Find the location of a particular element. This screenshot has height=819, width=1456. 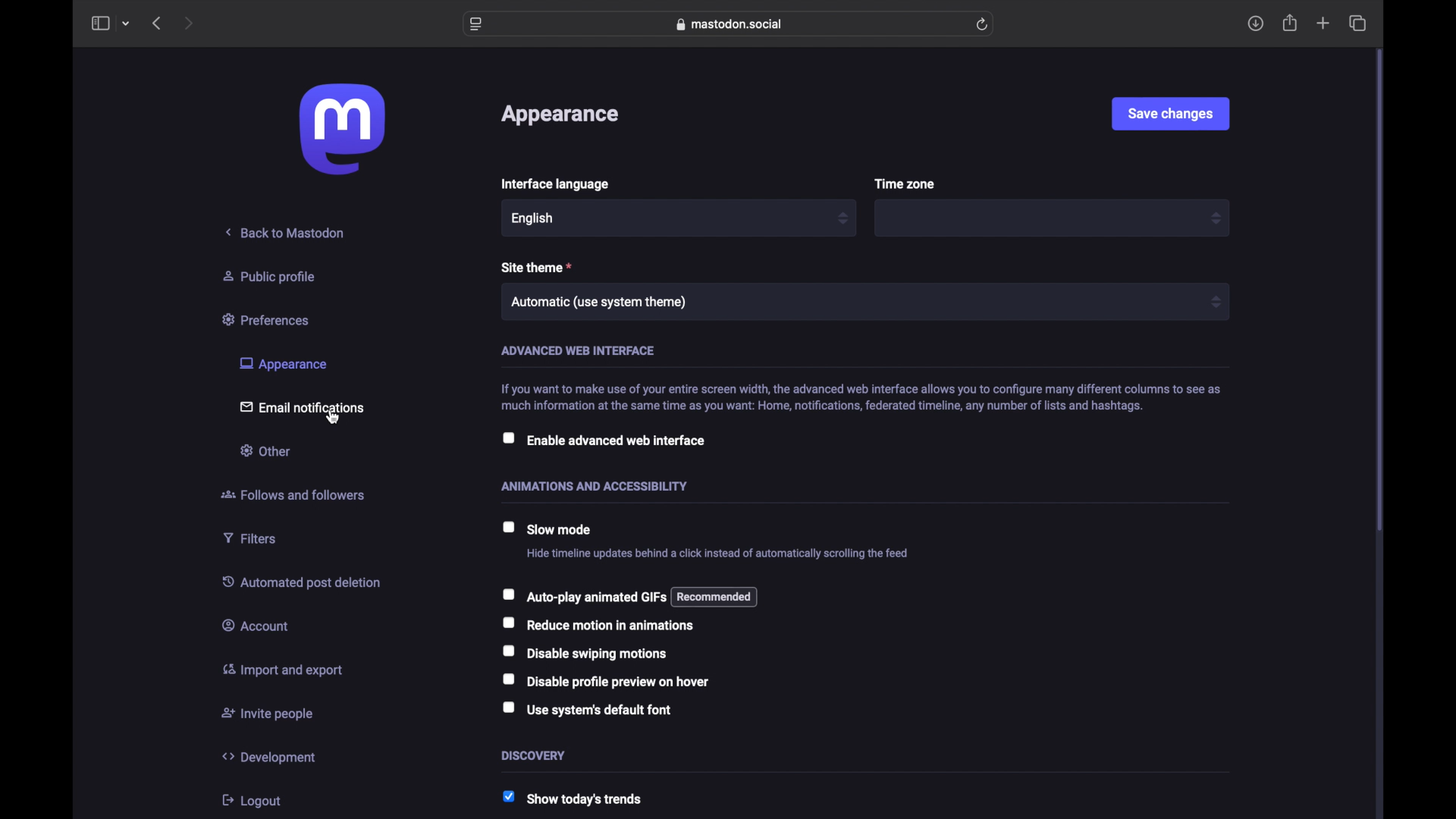

time zone is located at coordinates (905, 184).